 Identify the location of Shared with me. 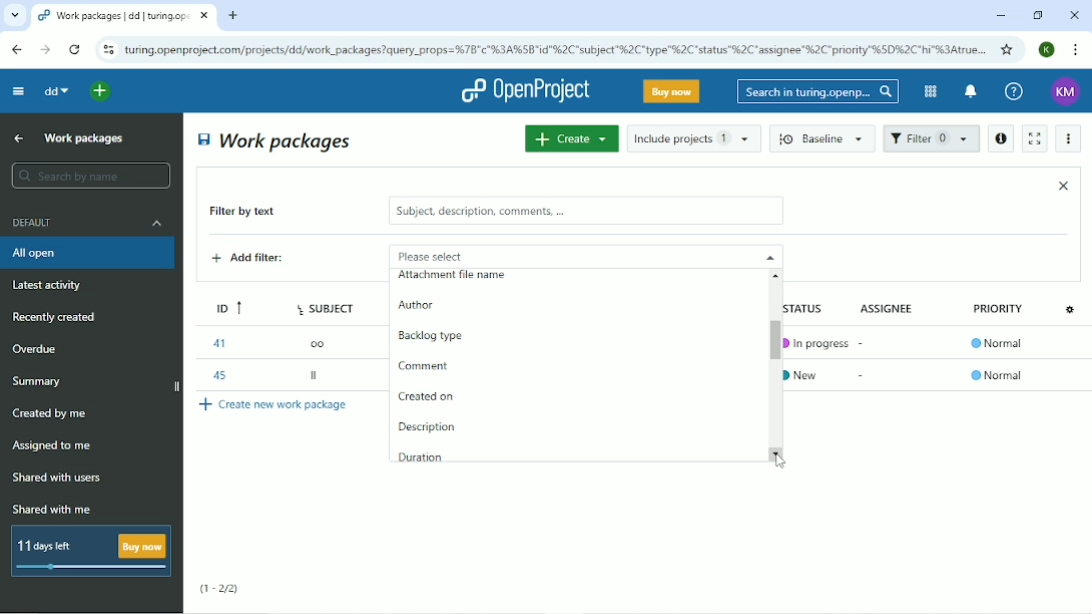
(54, 509).